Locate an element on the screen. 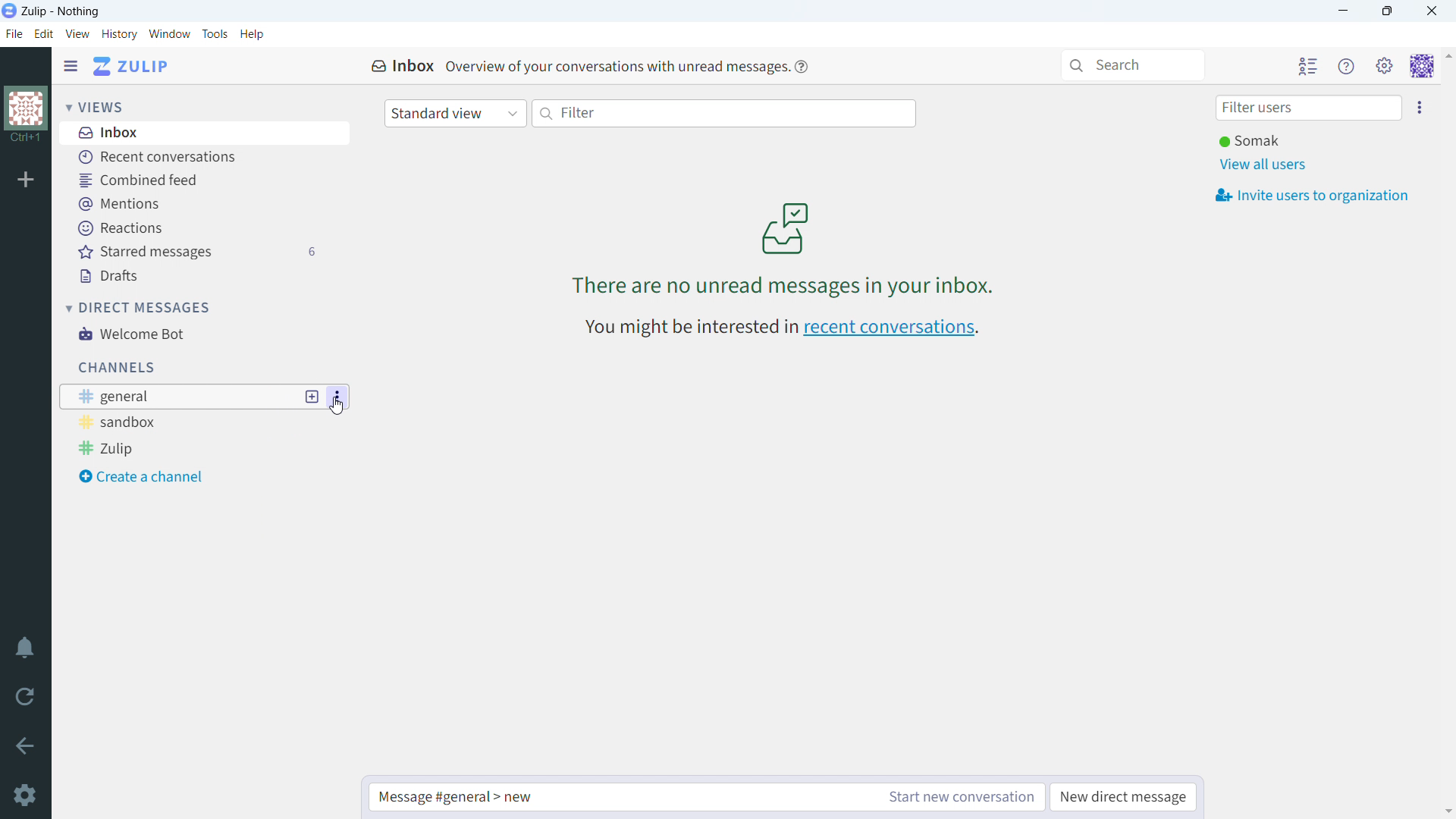 The image size is (1456, 819). personal menu is located at coordinates (1422, 65).